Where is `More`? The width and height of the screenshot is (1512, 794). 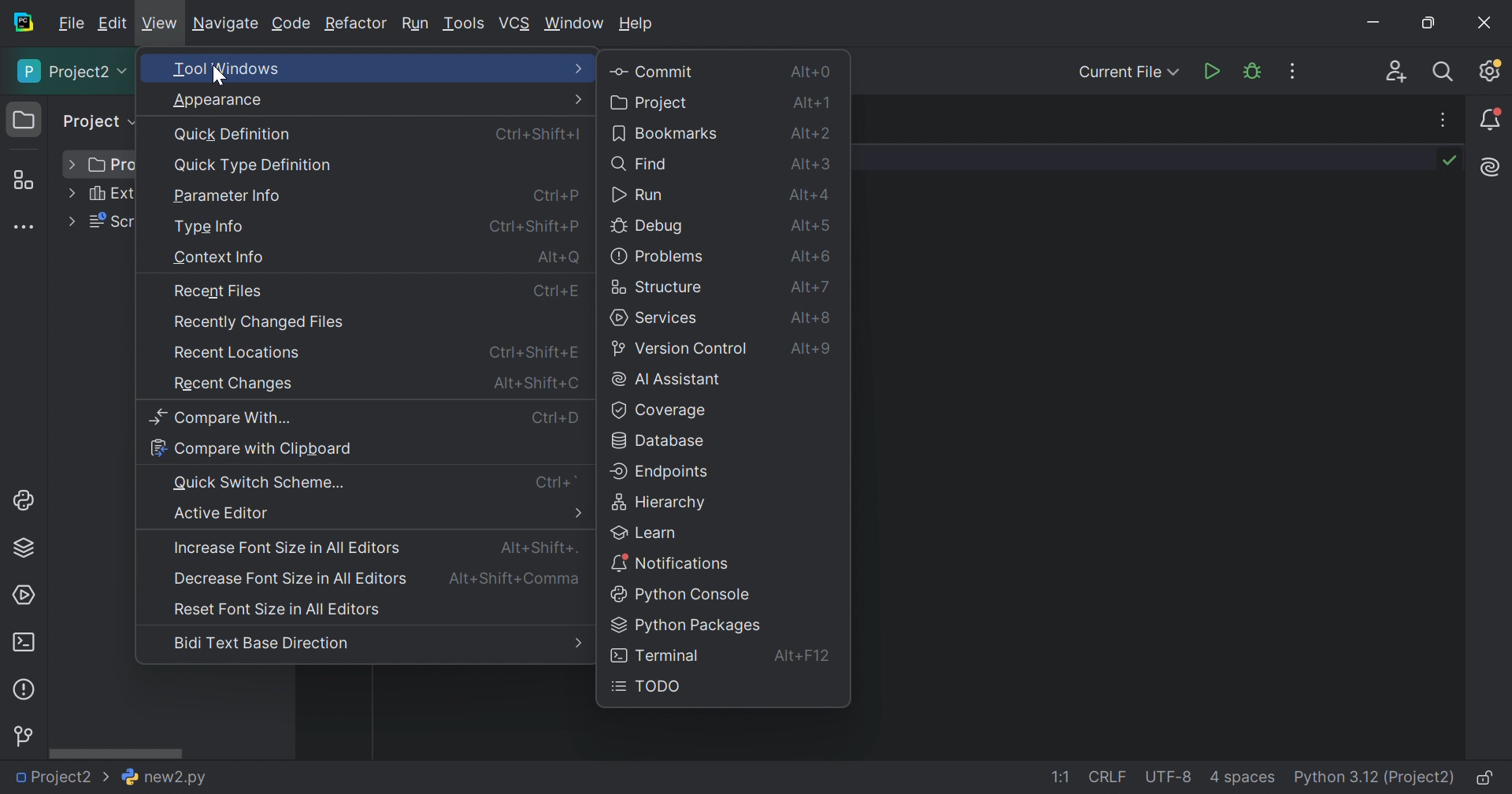
More is located at coordinates (71, 222).